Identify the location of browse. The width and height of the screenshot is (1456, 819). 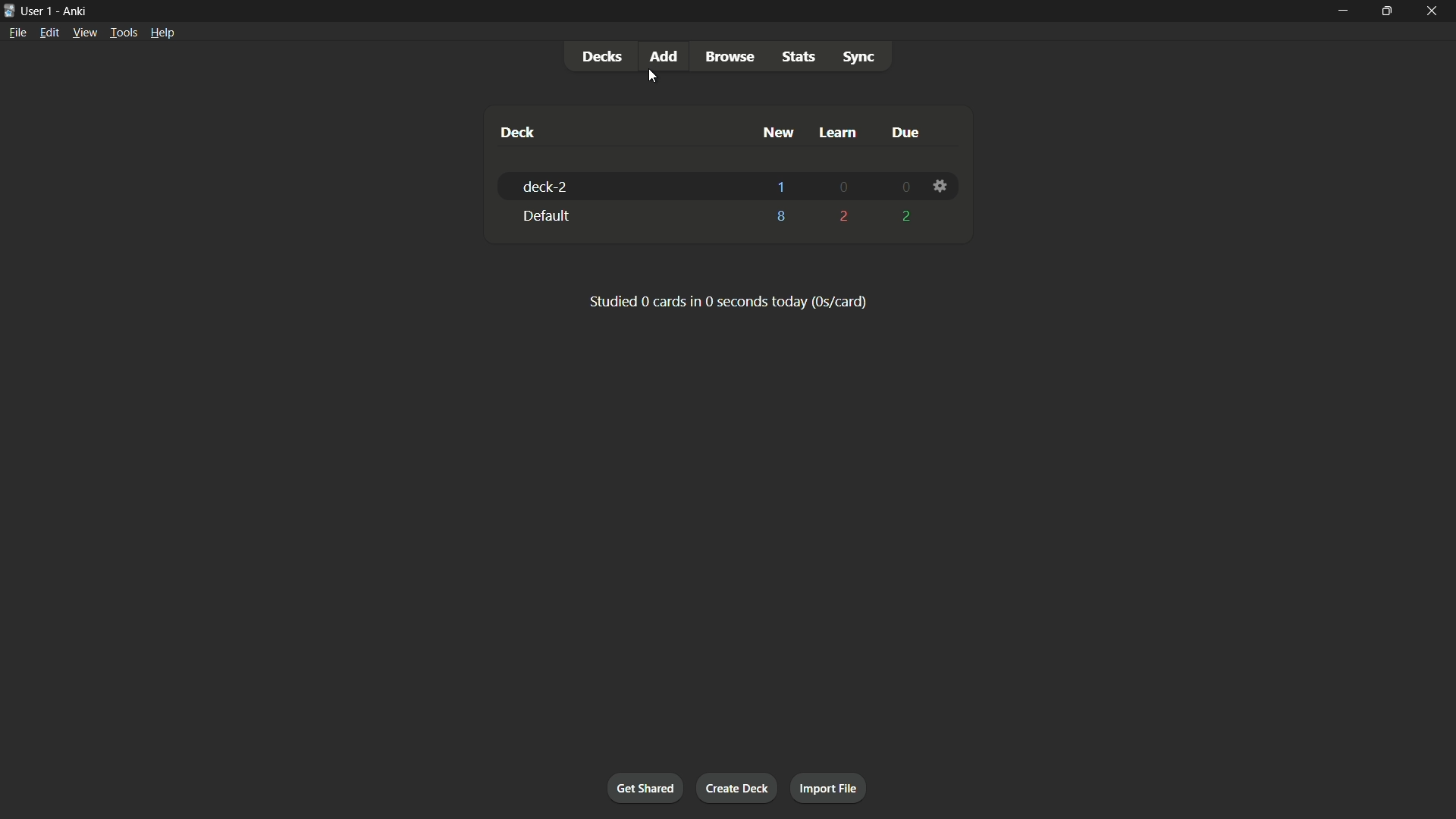
(731, 57).